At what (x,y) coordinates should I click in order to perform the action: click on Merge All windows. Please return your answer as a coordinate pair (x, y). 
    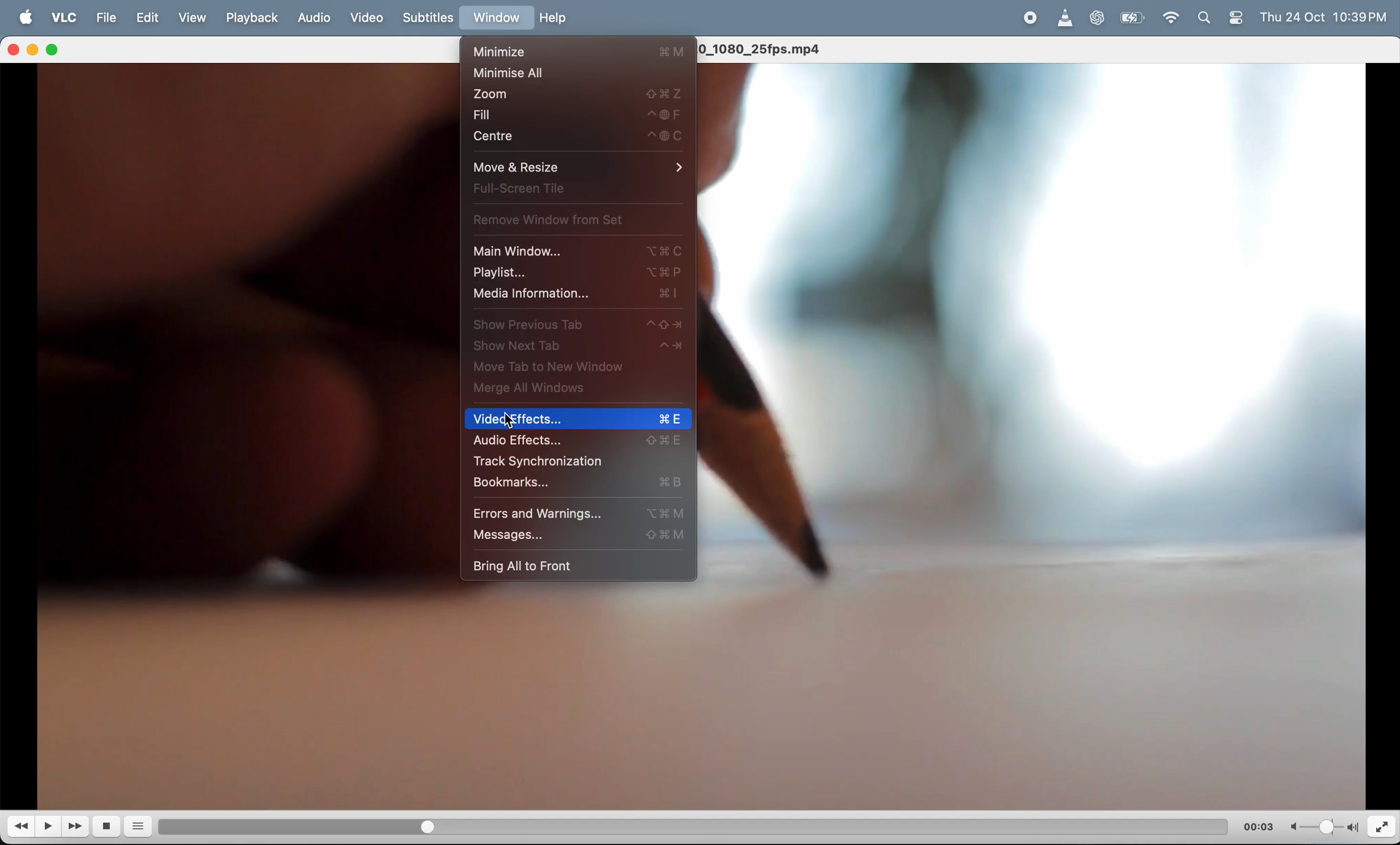
    Looking at the image, I should click on (565, 391).